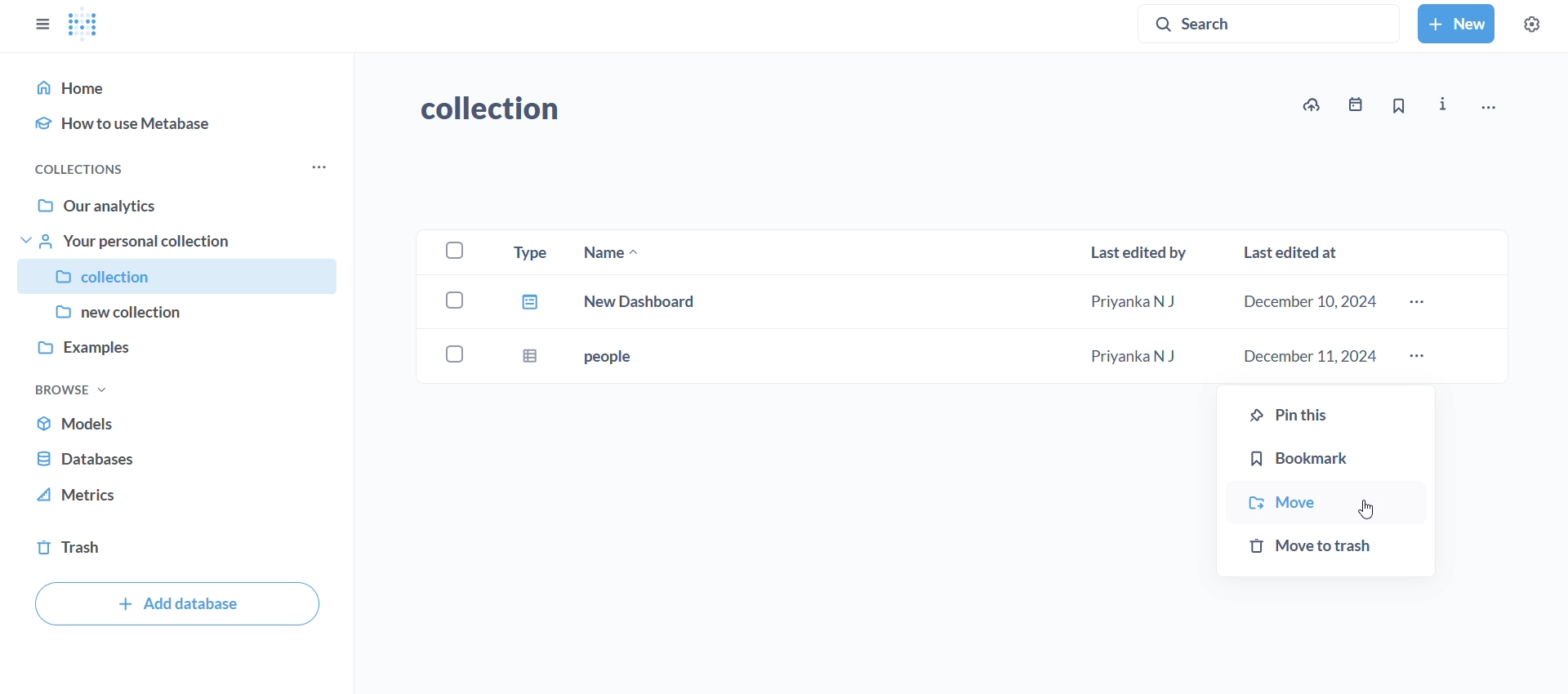 The image size is (1568, 694). I want to click on checkbox, so click(453, 354).